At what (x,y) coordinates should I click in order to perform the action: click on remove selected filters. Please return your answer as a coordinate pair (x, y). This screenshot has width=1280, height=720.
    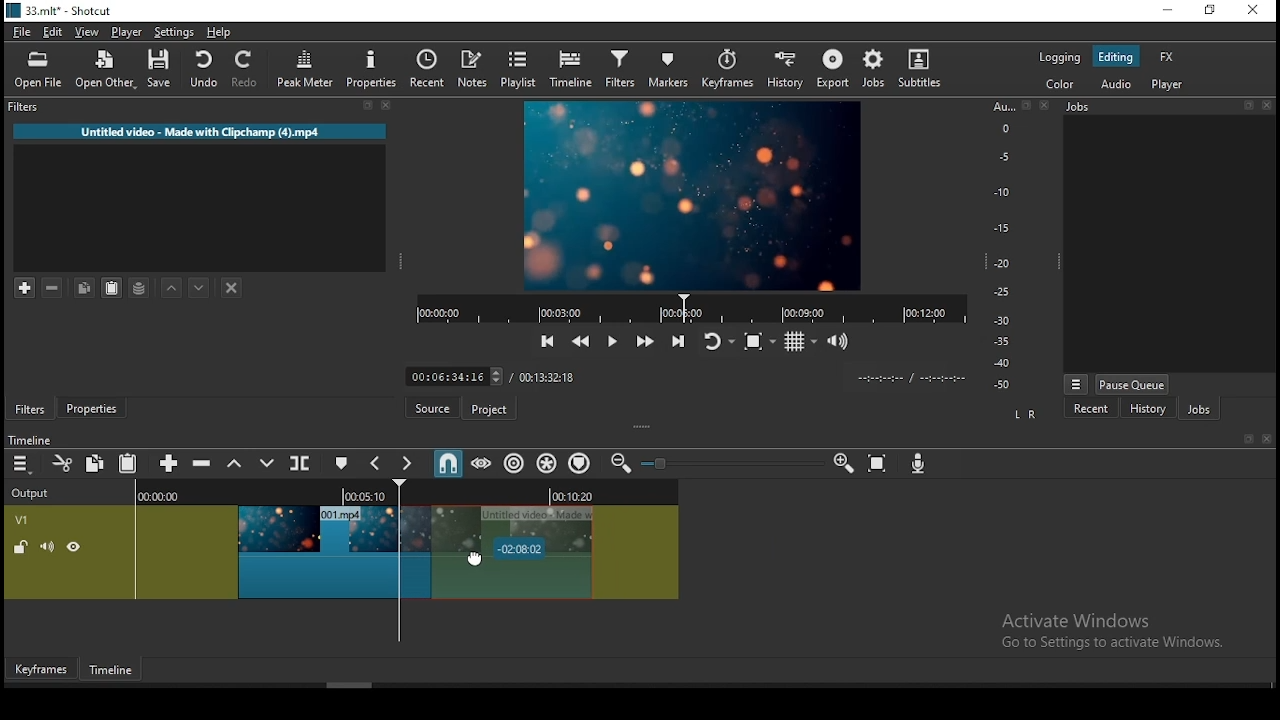
    Looking at the image, I should click on (58, 289).